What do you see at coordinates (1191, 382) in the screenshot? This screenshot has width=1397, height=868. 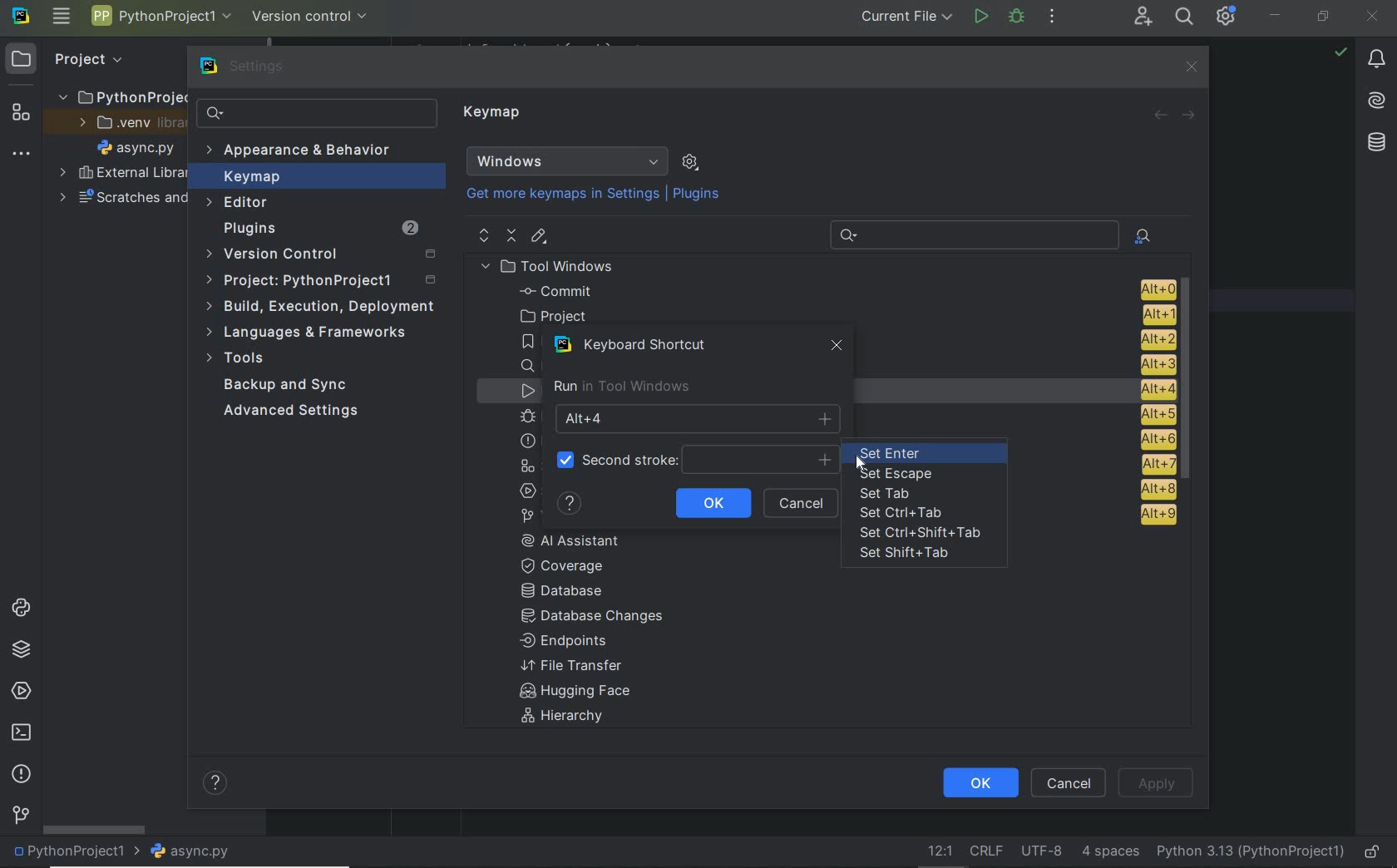 I see `scrollbar` at bounding box center [1191, 382].